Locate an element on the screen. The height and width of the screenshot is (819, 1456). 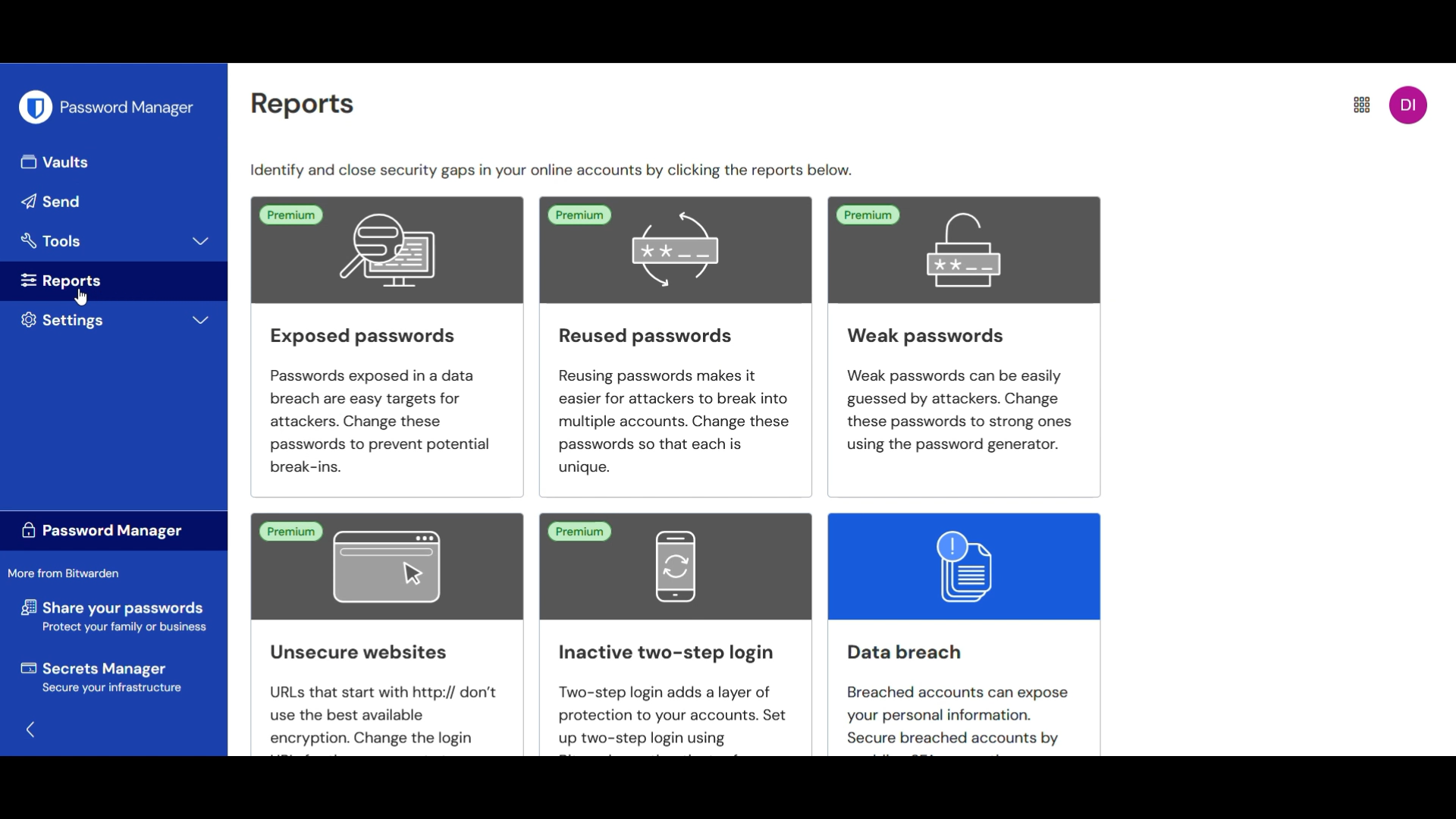
Reused passwordsReusing passwords makes iteasier for attackers to break intomultiple accounts. Change thesepasswords so that each is unique. is located at coordinates (676, 349).